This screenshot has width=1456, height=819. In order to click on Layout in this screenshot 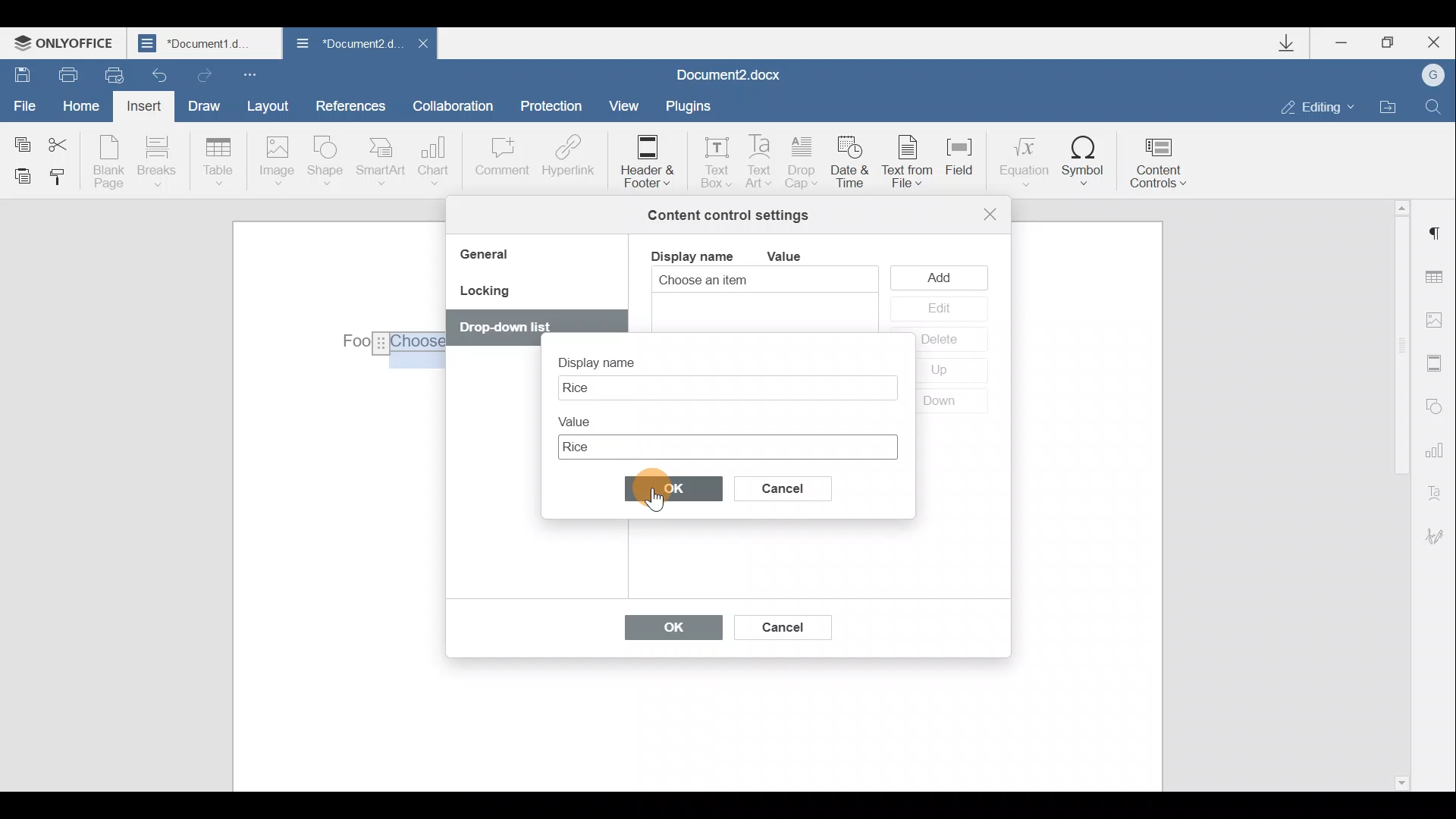, I will do `click(267, 105)`.